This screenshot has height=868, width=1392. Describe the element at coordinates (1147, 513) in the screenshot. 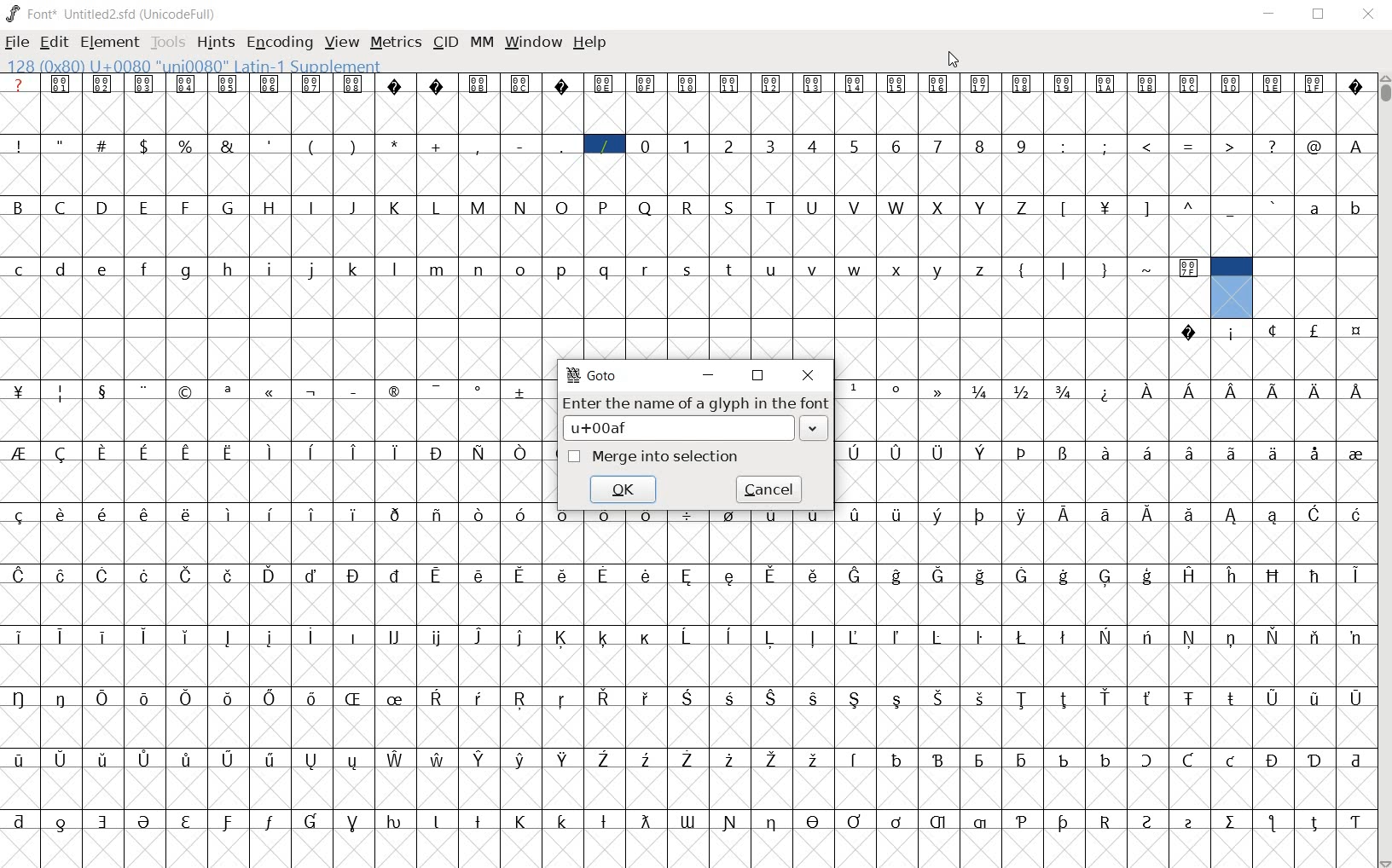

I see `Symbol` at that location.